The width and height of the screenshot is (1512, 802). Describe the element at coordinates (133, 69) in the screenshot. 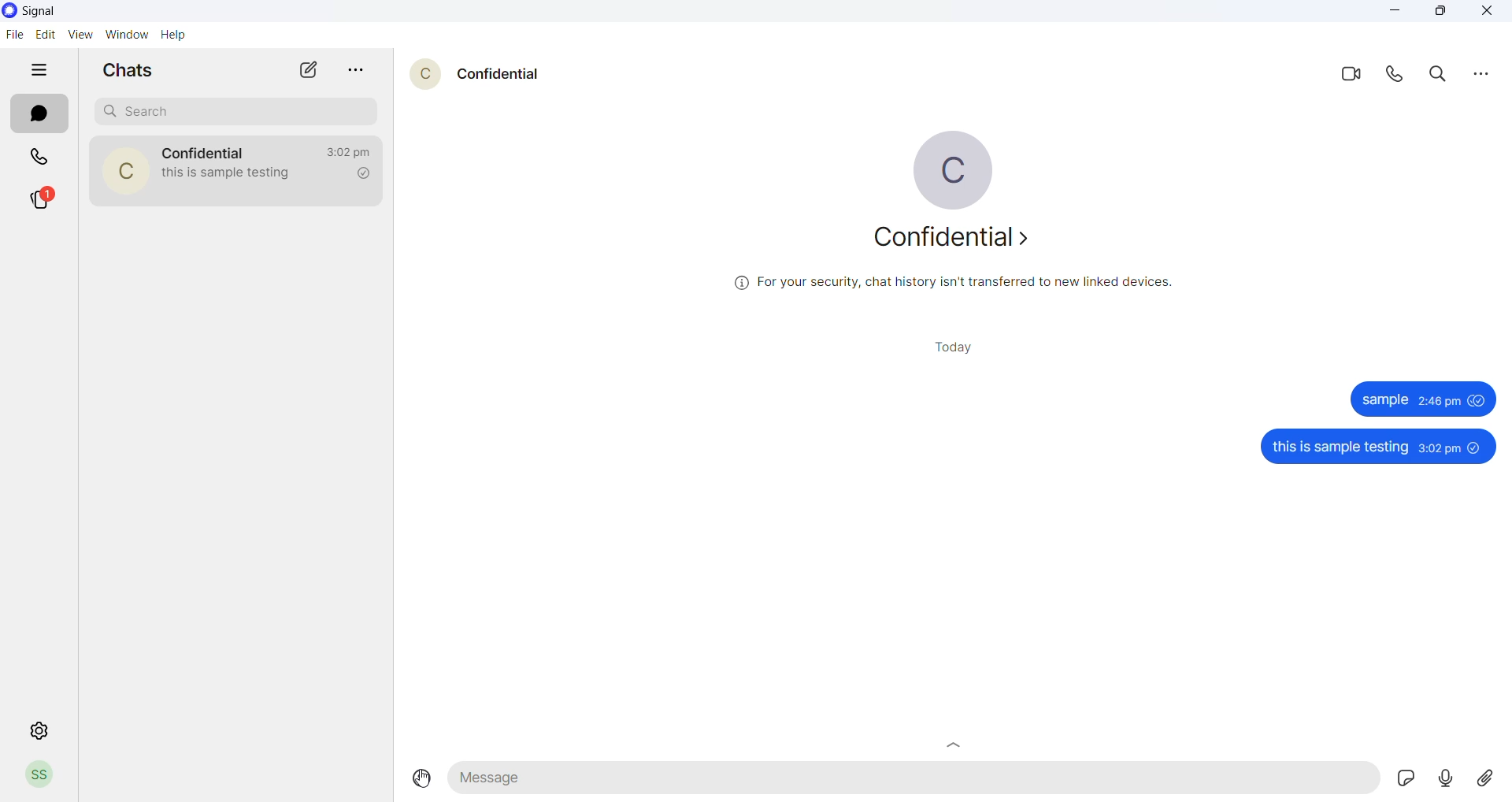

I see `chats heading` at that location.